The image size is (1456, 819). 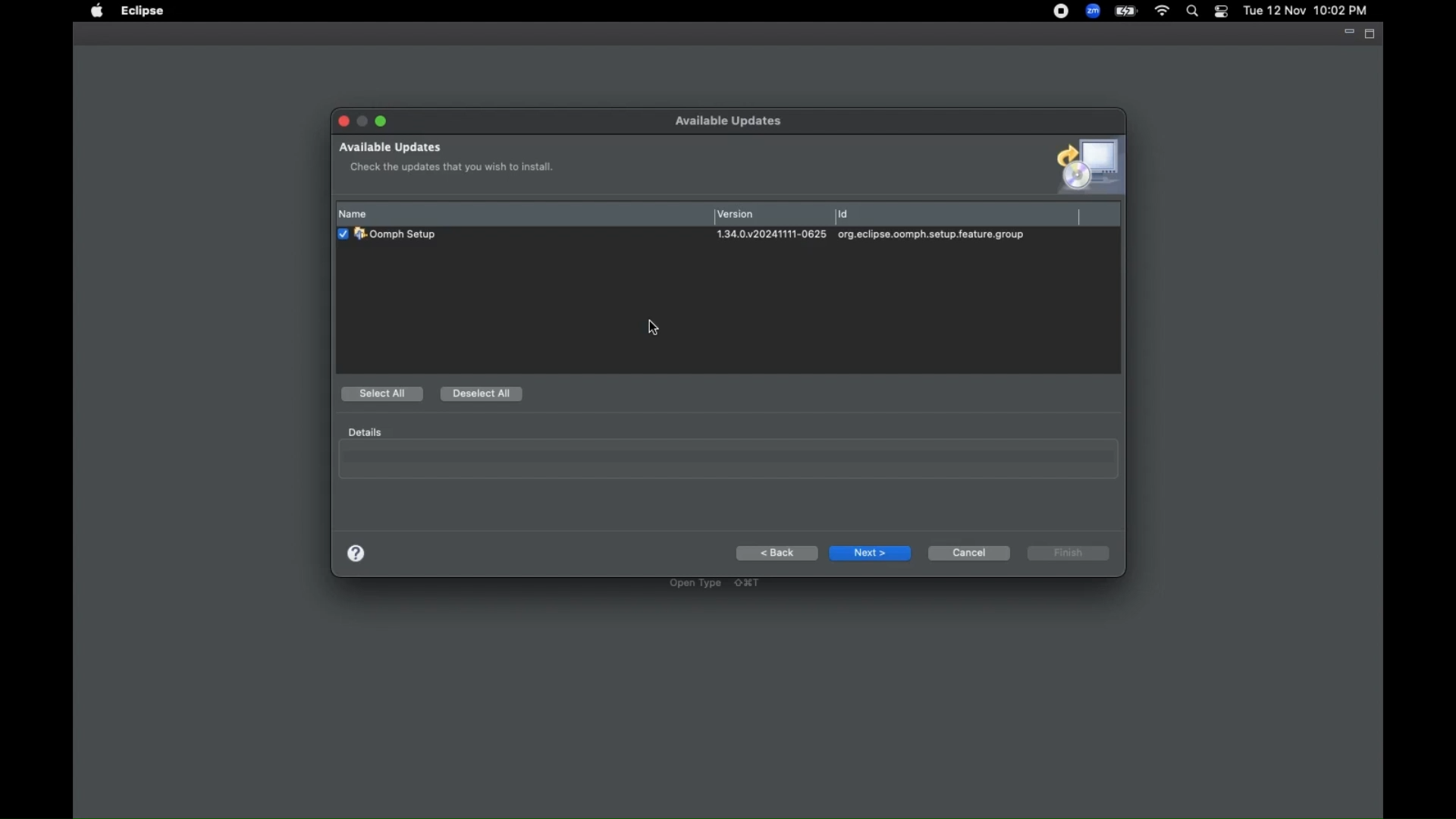 I want to click on Back, so click(x=777, y=554).